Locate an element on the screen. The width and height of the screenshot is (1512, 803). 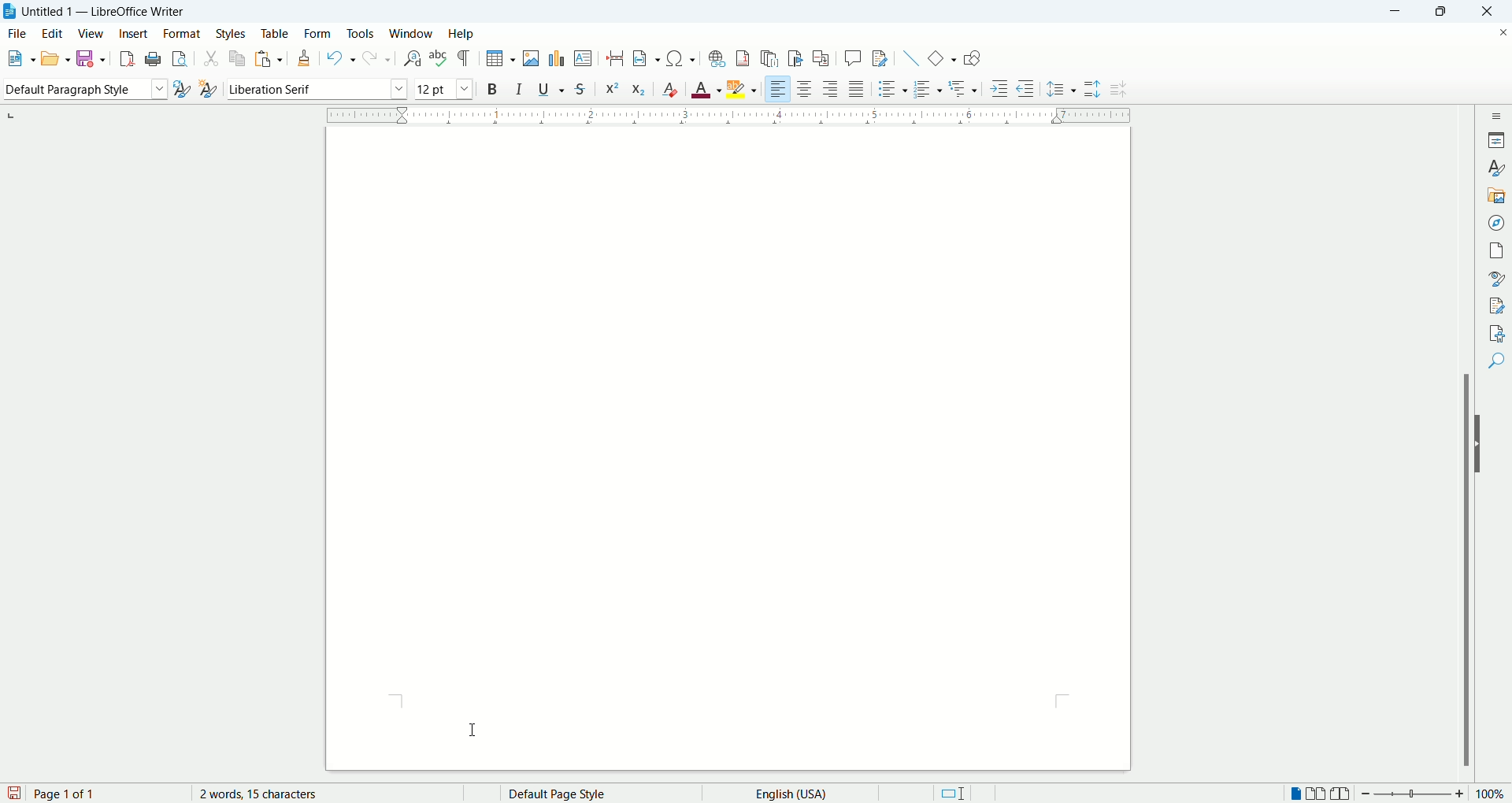
find is located at coordinates (1499, 360).